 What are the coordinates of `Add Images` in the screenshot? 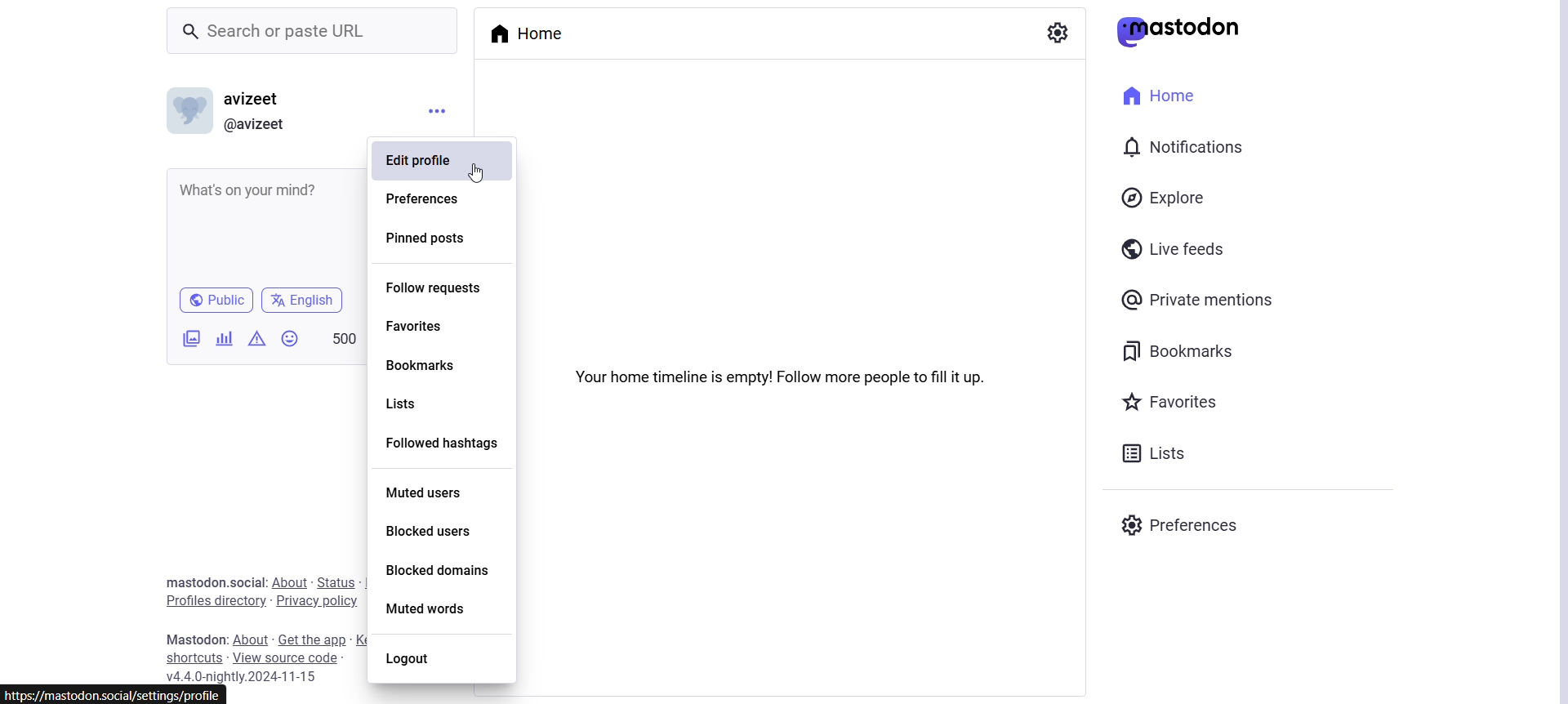 It's located at (192, 337).